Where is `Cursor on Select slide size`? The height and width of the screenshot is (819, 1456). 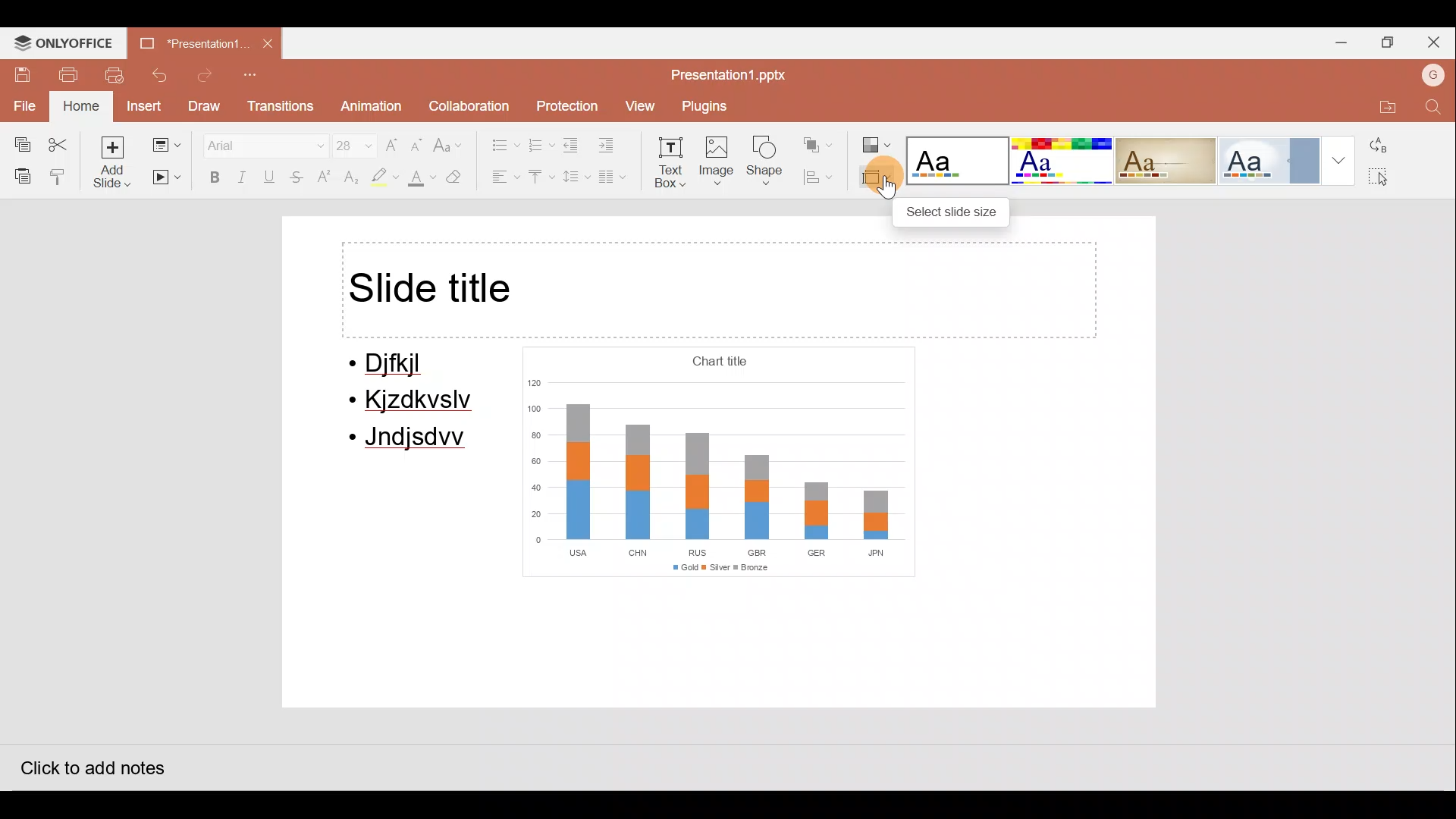
Cursor on Select slide size is located at coordinates (879, 187).